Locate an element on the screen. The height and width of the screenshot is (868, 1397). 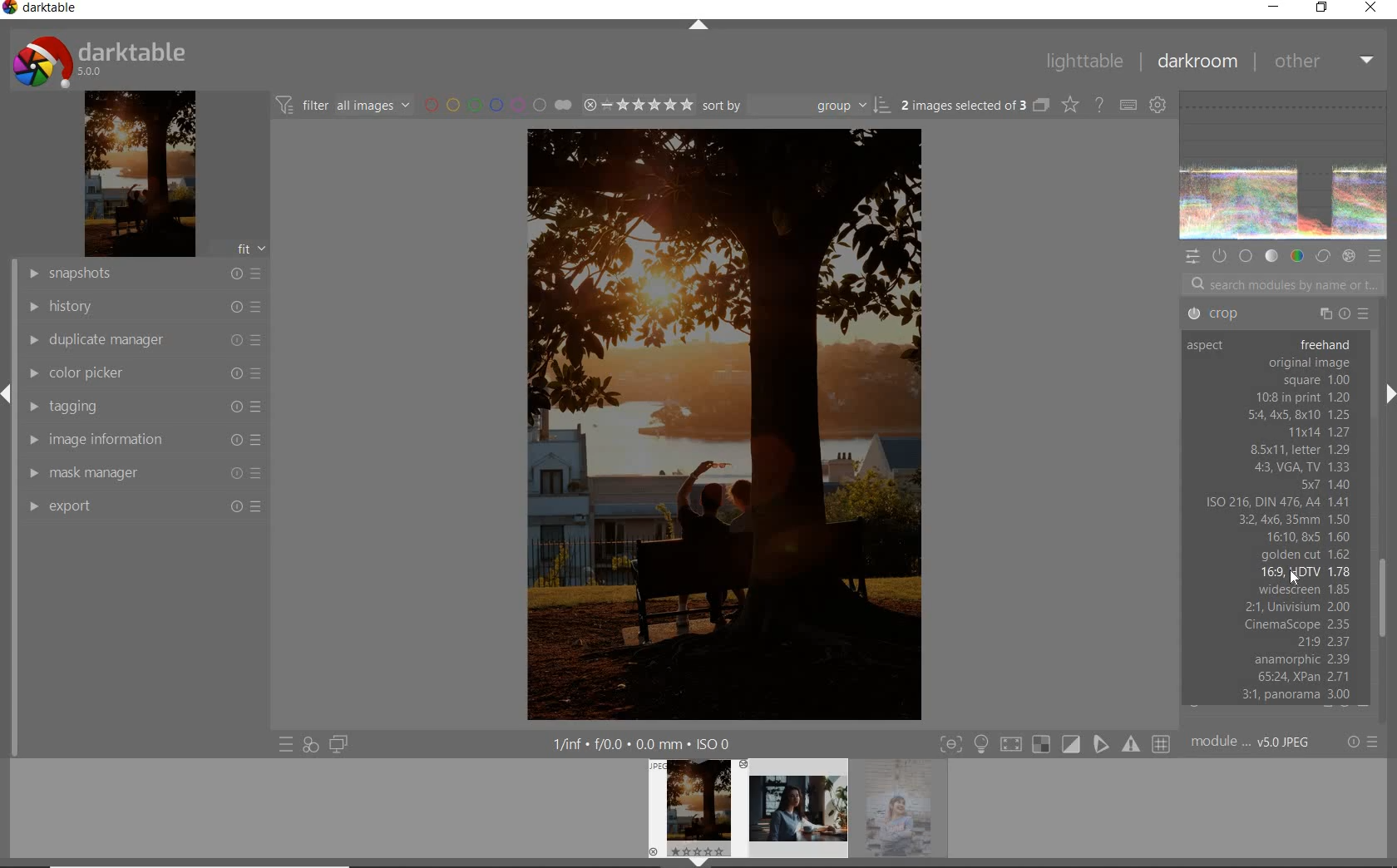
CROP is located at coordinates (1279, 313).